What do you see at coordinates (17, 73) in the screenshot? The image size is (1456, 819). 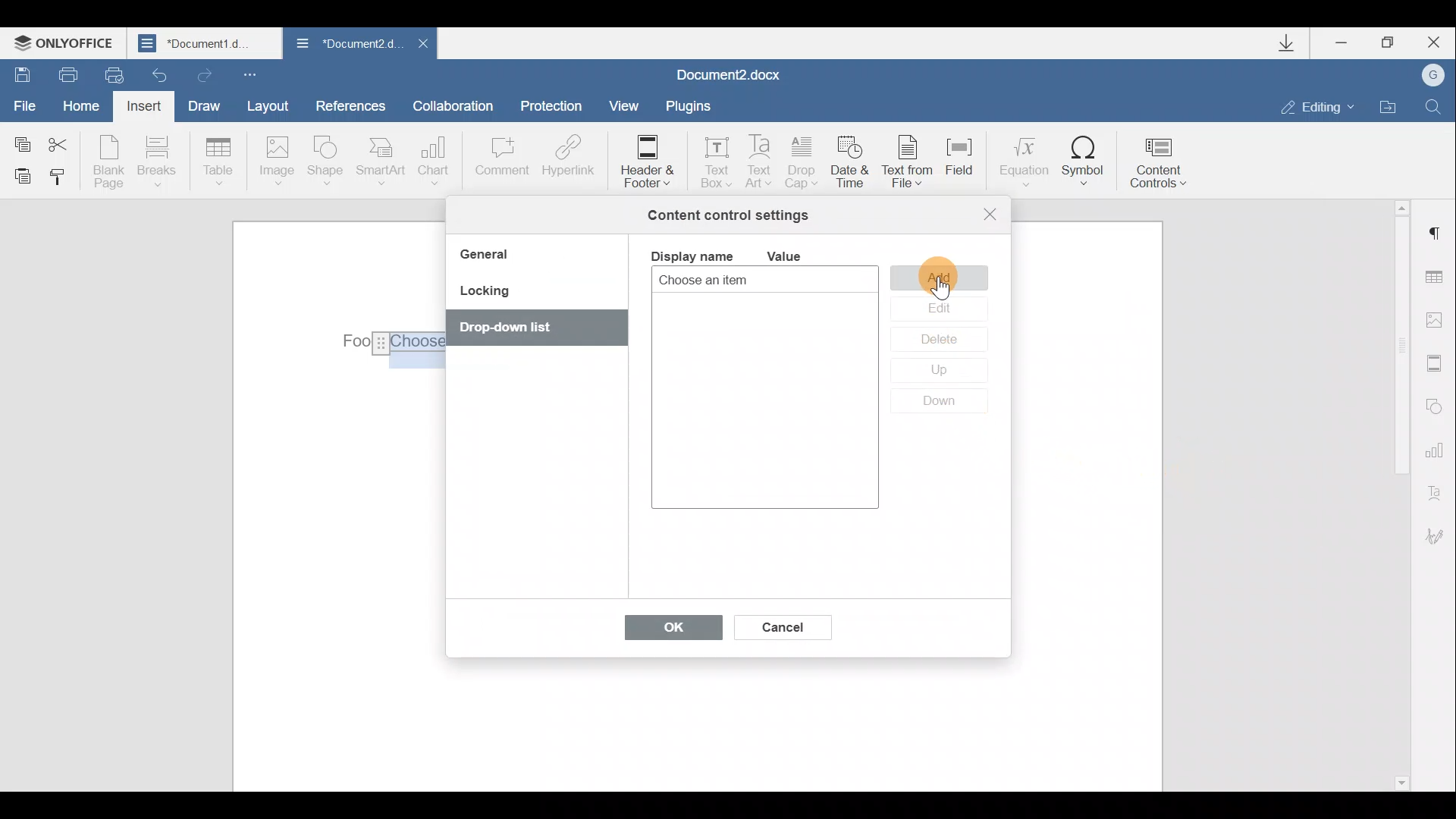 I see `Save` at bounding box center [17, 73].